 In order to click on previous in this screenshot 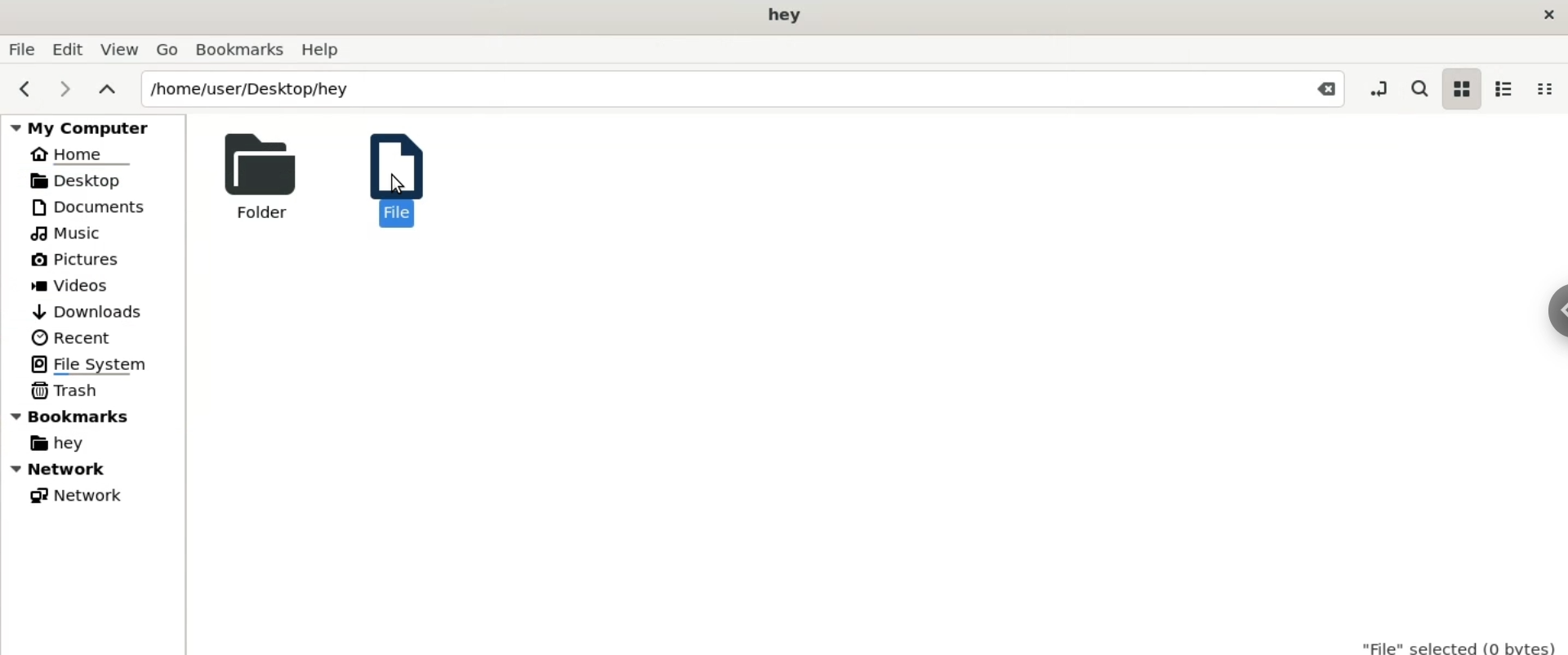, I will do `click(21, 88)`.